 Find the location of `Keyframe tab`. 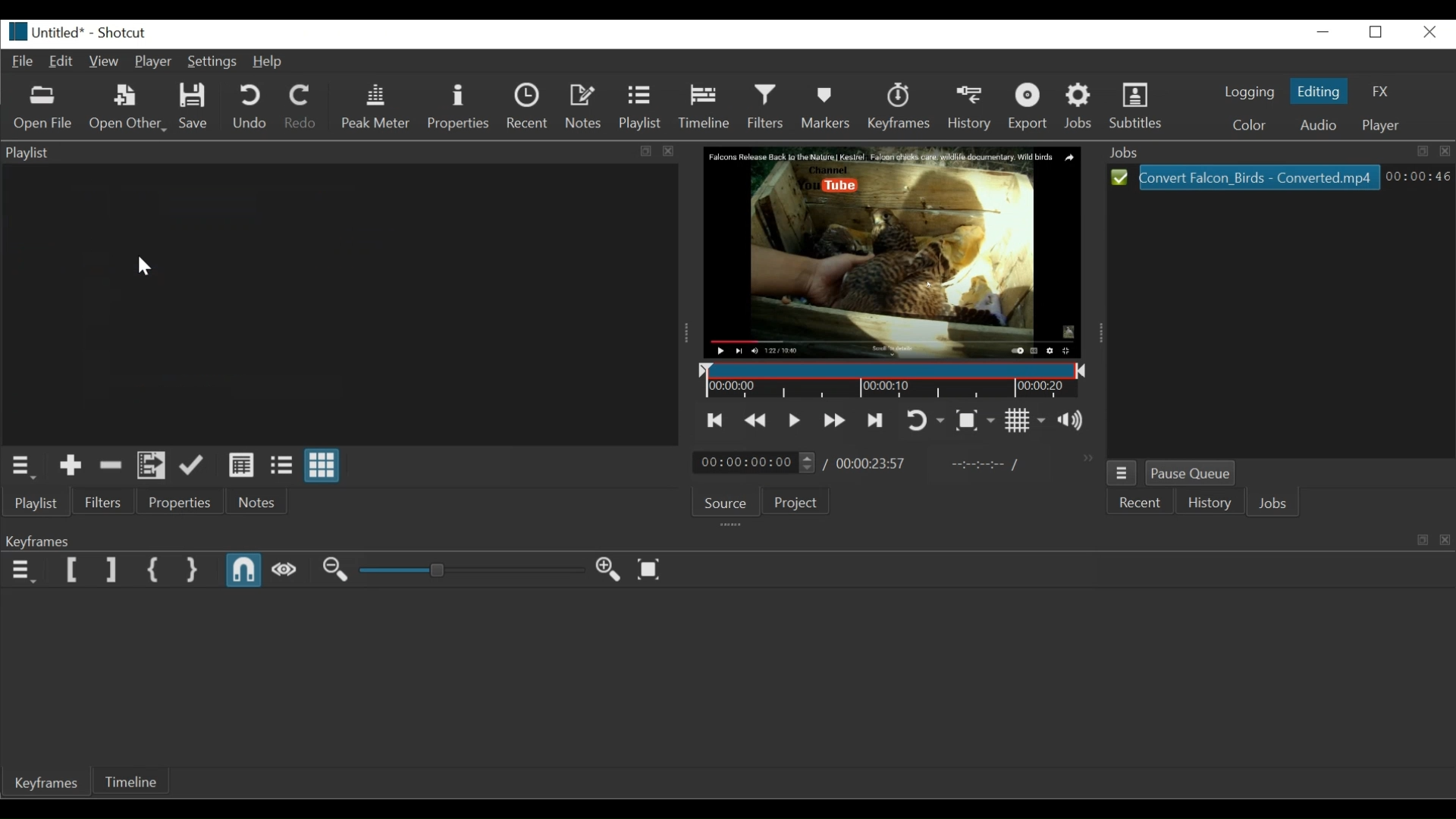

Keyframe tab is located at coordinates (693, 541).